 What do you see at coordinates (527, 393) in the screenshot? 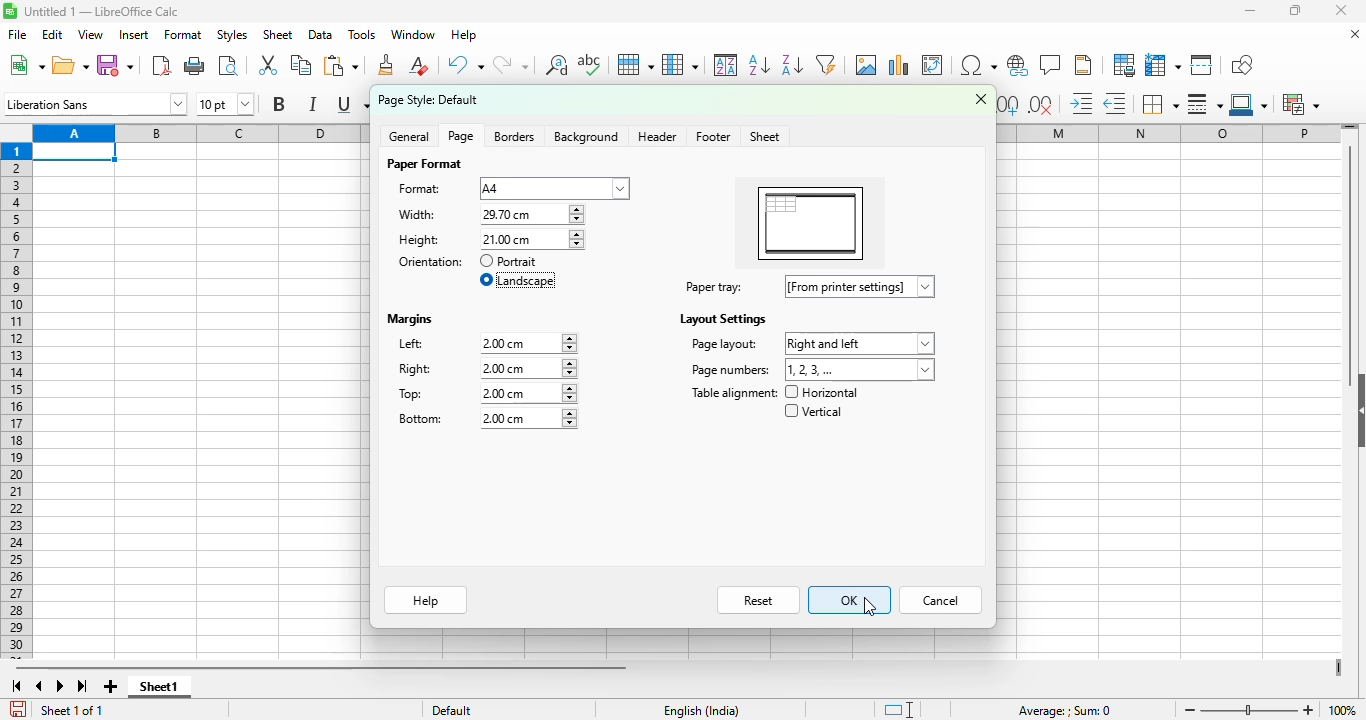
I see `2.00 cm` at bounding box center [527, 393].